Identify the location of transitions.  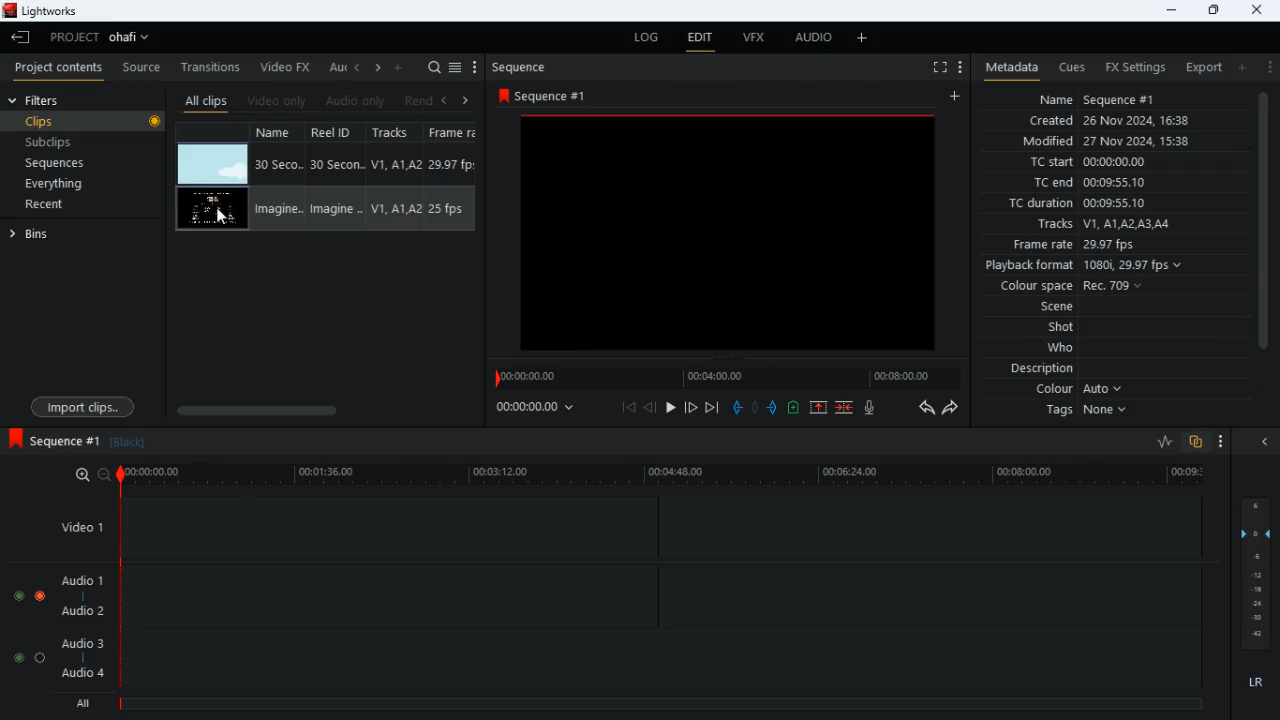
(210, 66).